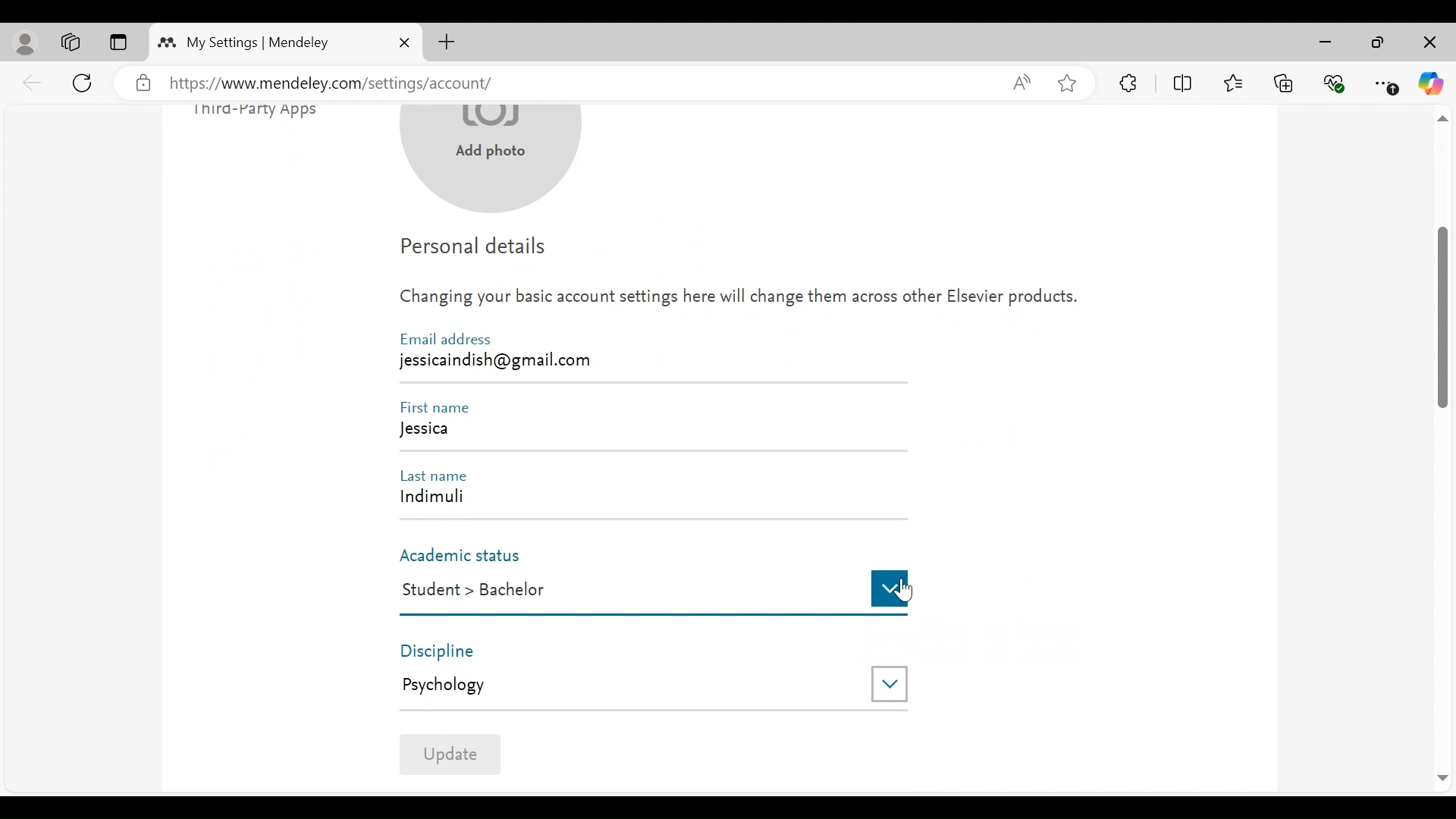 The width and height of the screenshot is (1456, 819). Describe the element at coordinates (623, 685) in the screenshot. I see `Psychology` at that location.